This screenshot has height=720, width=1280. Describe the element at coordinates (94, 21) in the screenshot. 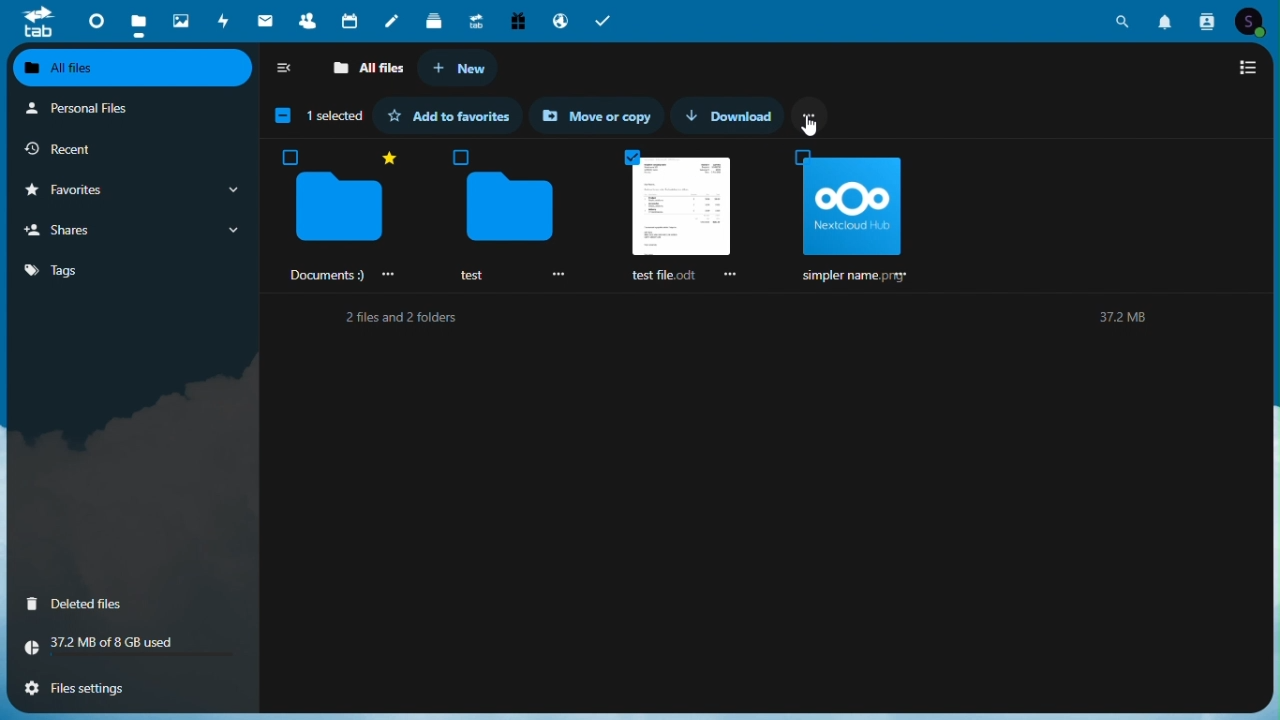

I see `Dashboard` at that location.